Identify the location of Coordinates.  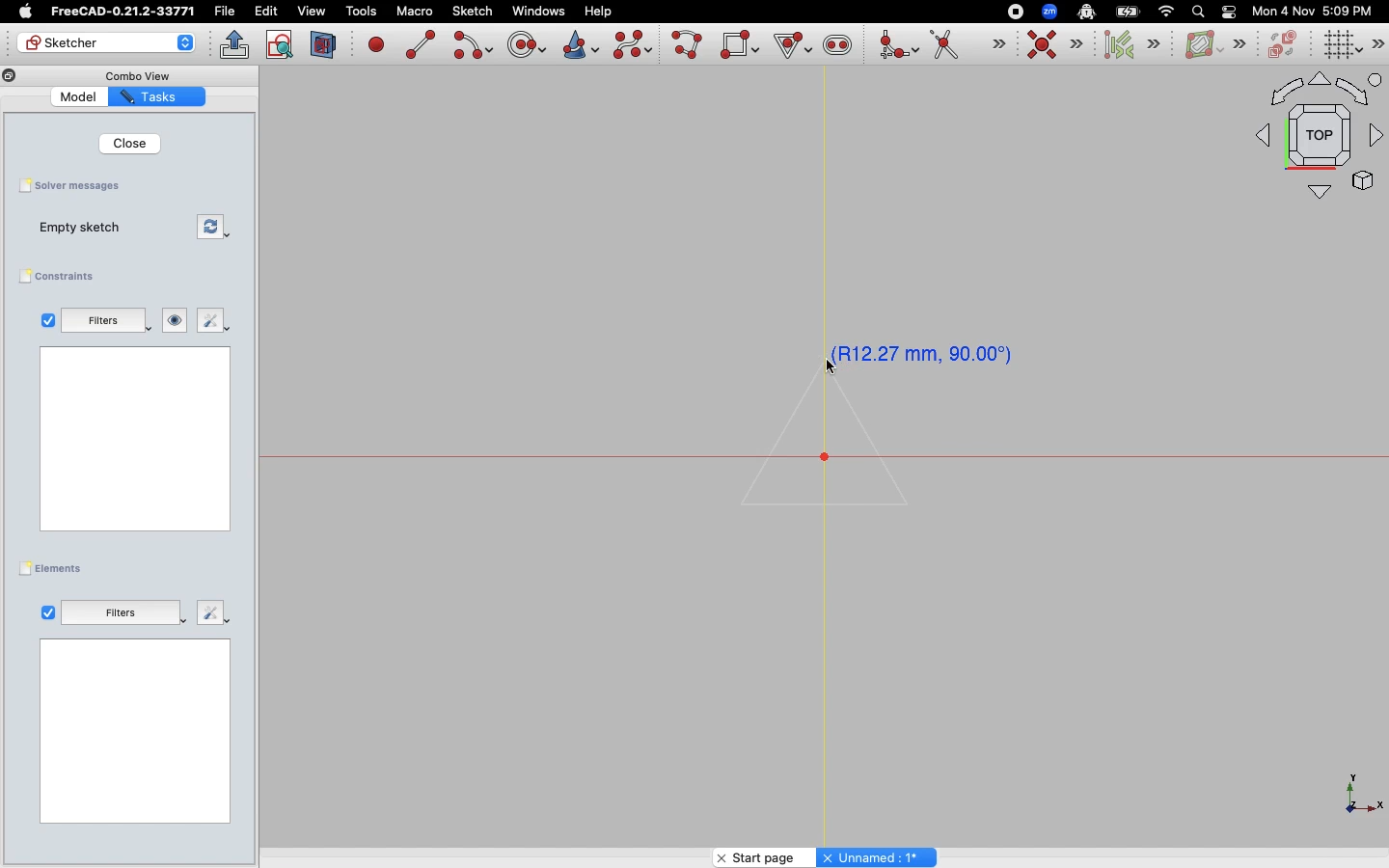
(925, 352).